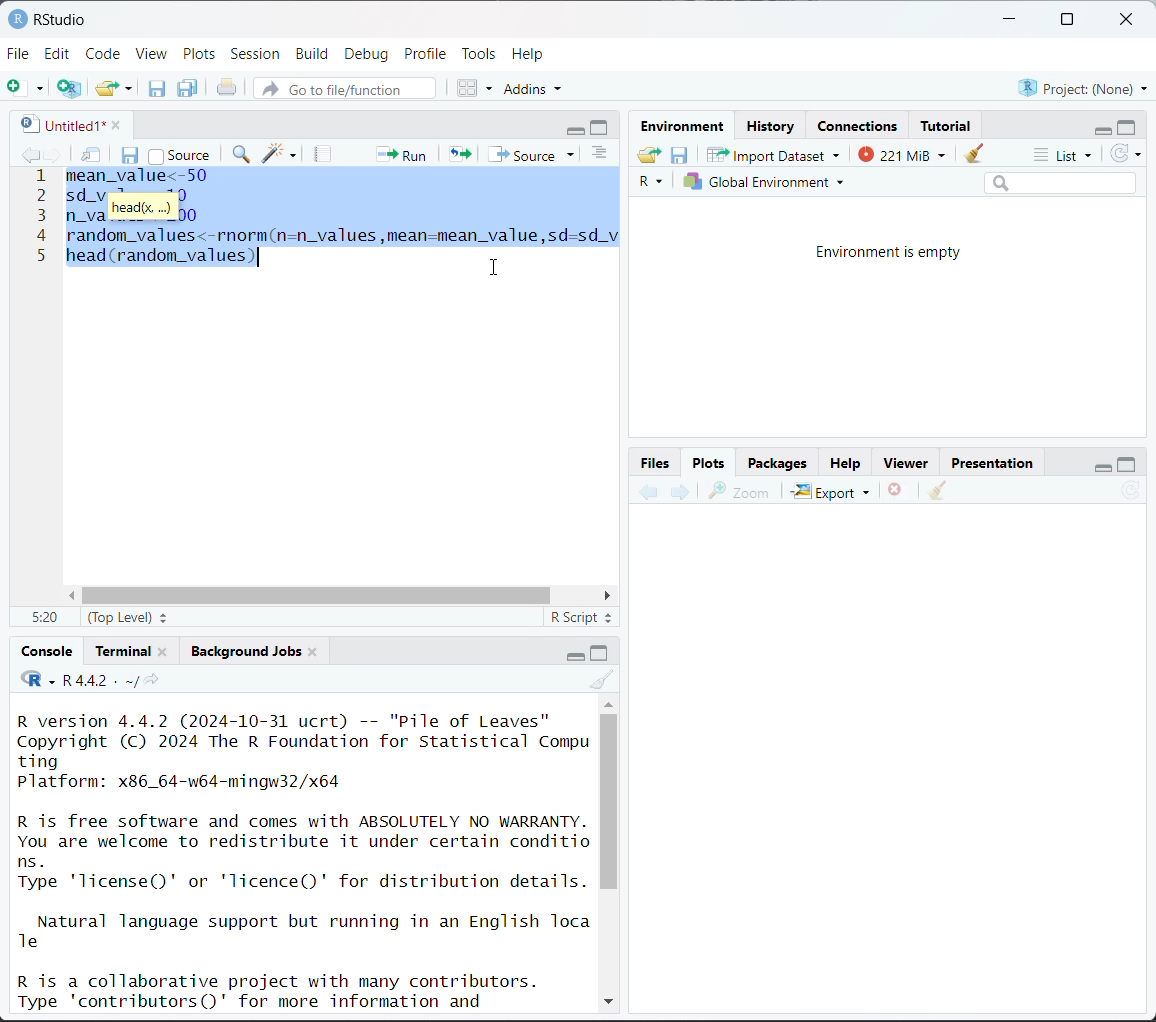  I want to click on Viewer, so click(910, 464).